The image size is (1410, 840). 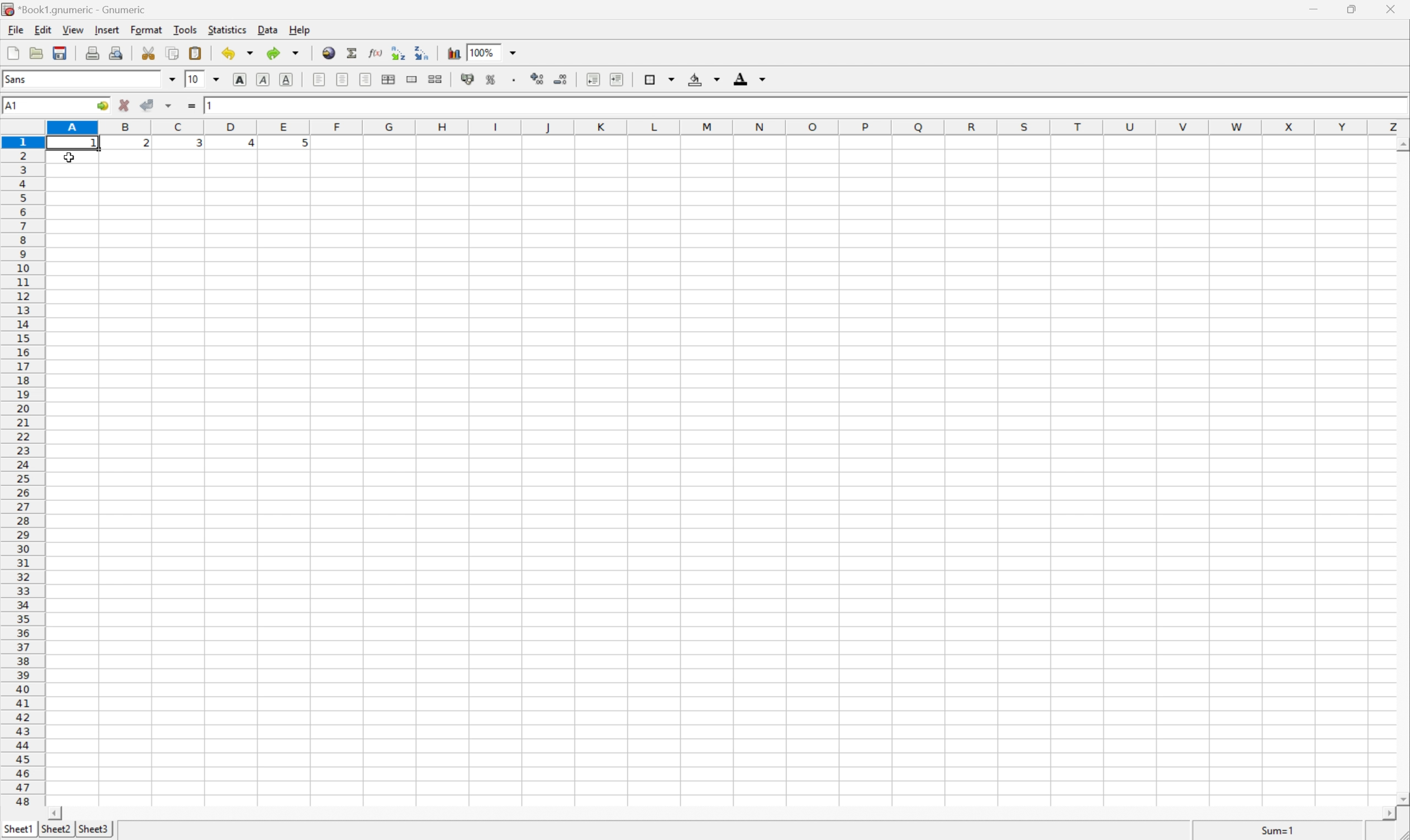 What do you see at coordinates (559, 79) in the screenshot?
I see `decrease number of decimals displayed` at bounding box center [559, 79].